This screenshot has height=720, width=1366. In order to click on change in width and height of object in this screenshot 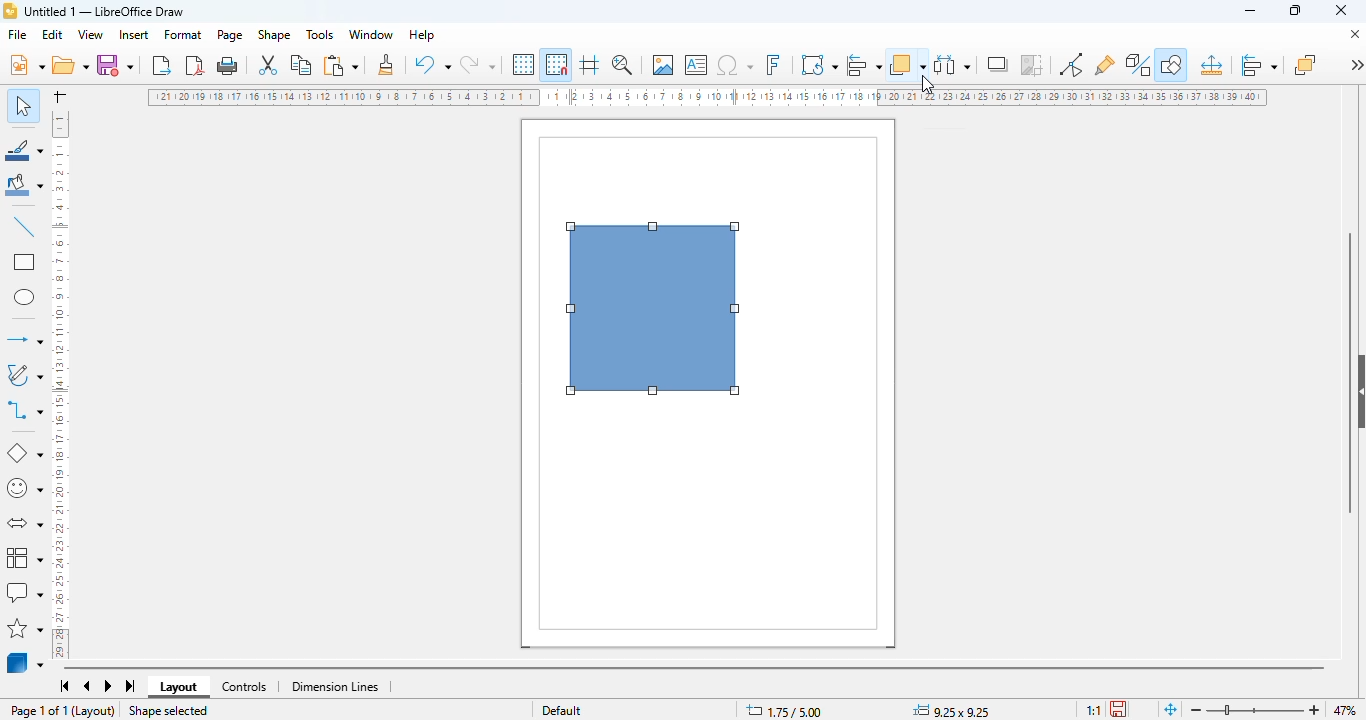, I will do `click(951, 710)`.